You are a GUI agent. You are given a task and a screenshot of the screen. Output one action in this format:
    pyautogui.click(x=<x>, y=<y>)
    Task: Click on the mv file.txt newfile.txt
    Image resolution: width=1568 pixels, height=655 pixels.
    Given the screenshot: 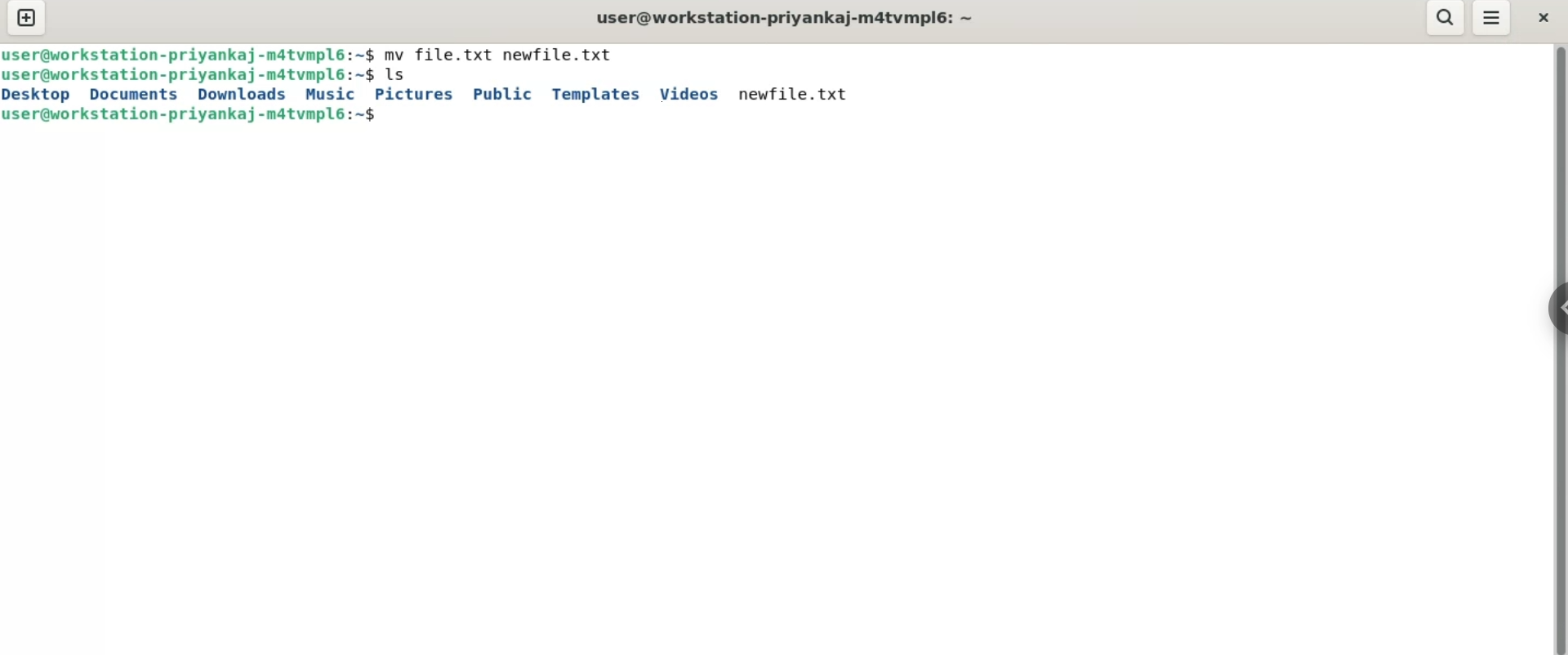 What is the action you would take?
    pyautogui.click(x=503, y=53)
    